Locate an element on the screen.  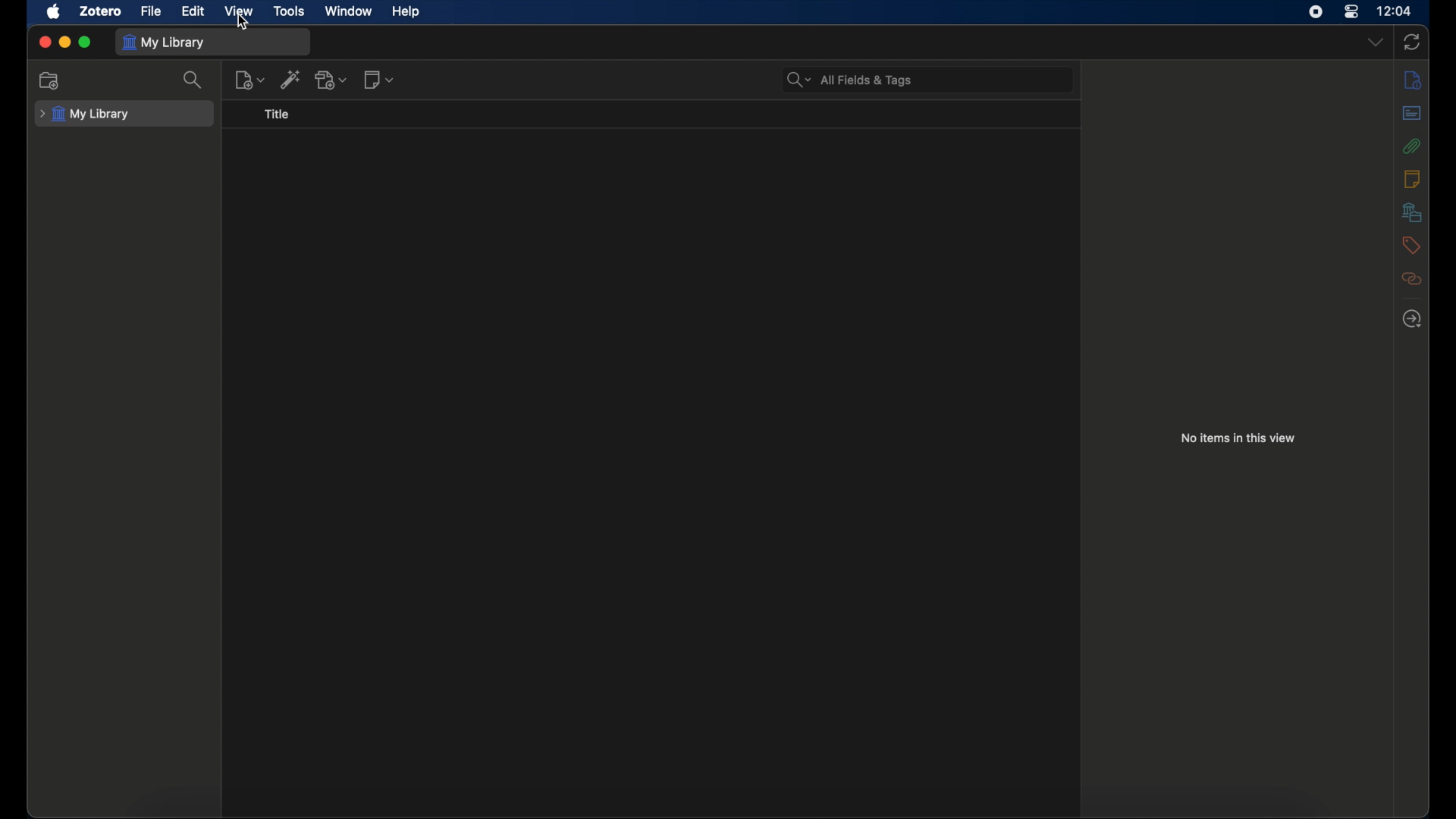
apple  is located at coordinates (54, 11).